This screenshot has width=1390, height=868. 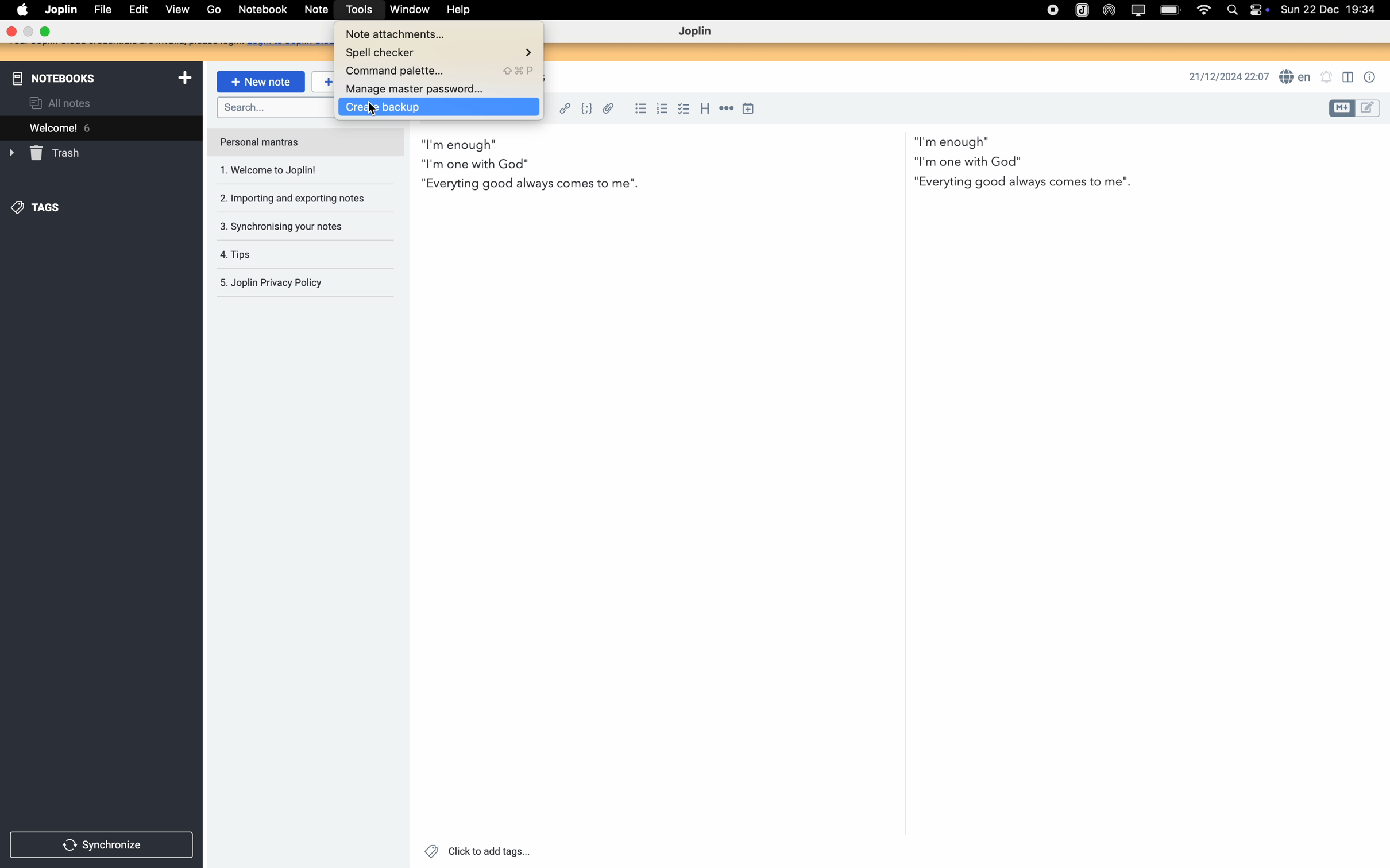 What do you see at coordinates (478, 850) in the screenshot?
I see `click to add tags` at bounding box center [478, 850].